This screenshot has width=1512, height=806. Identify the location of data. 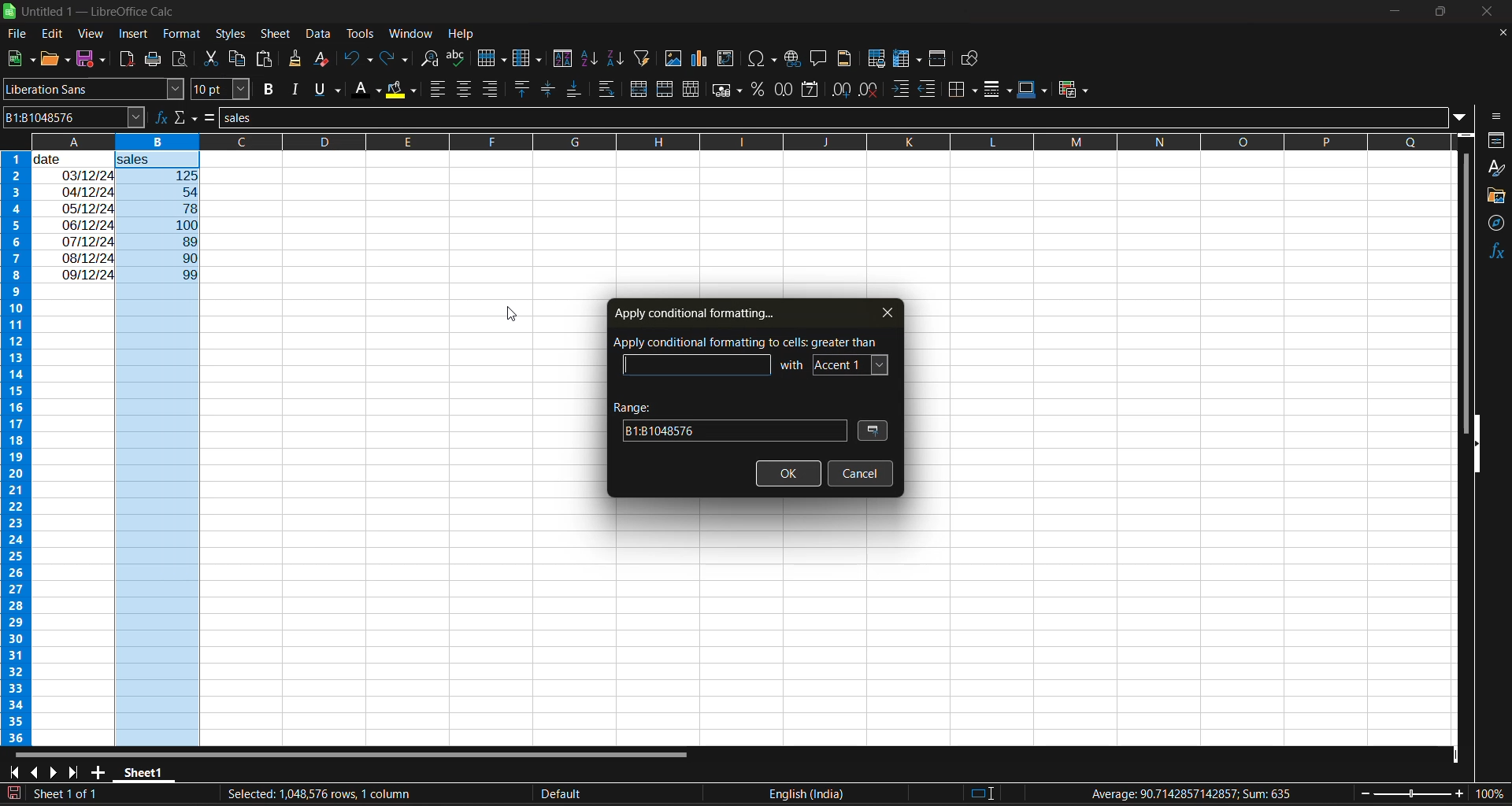
(74, 216).